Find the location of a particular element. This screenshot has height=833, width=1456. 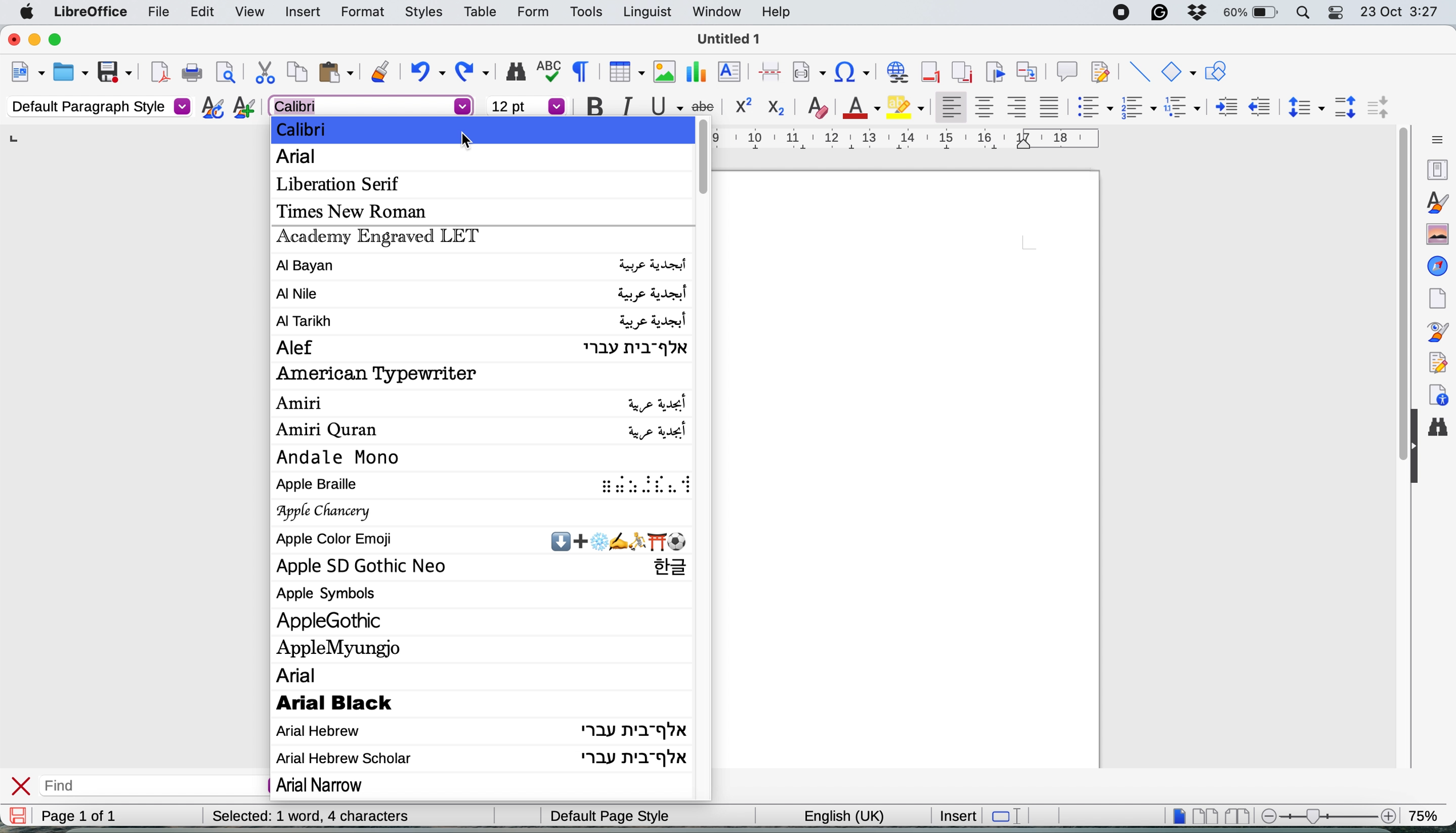

table is located at coordinates (481, 11).